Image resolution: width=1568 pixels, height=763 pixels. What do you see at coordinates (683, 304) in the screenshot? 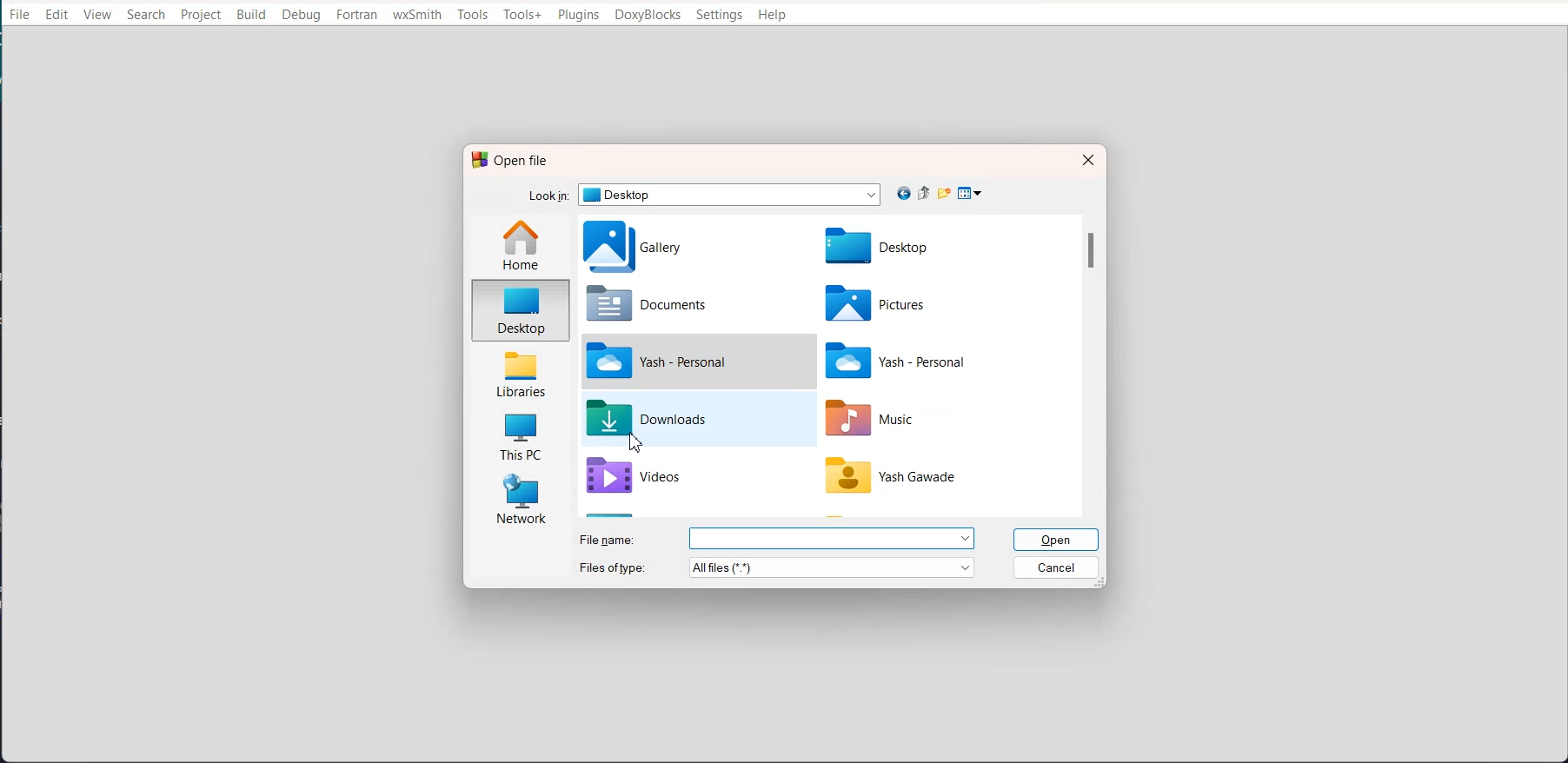
I see `Documents` at bounding box center [683, 304].